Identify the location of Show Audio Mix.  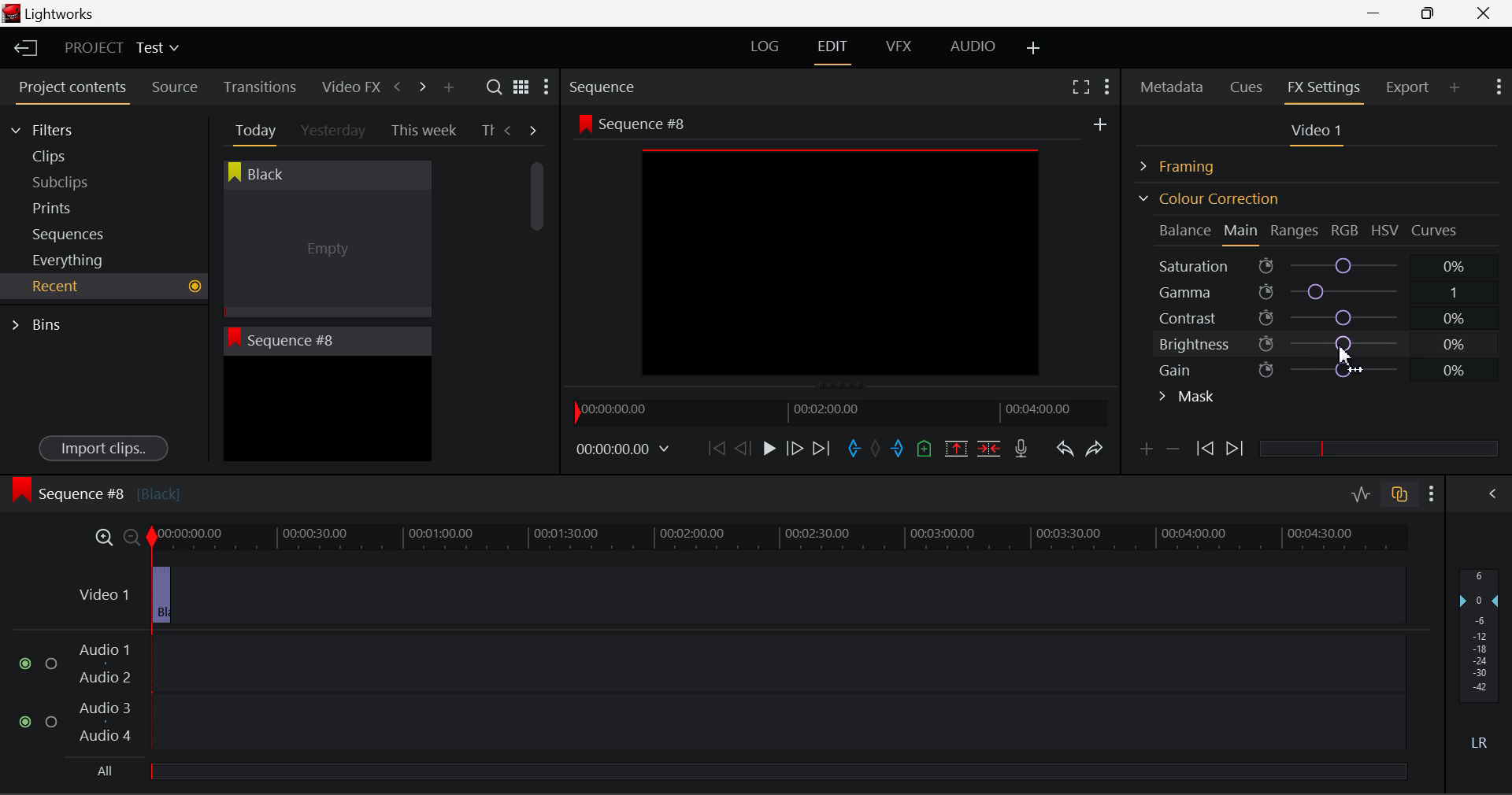
(1494, 492).